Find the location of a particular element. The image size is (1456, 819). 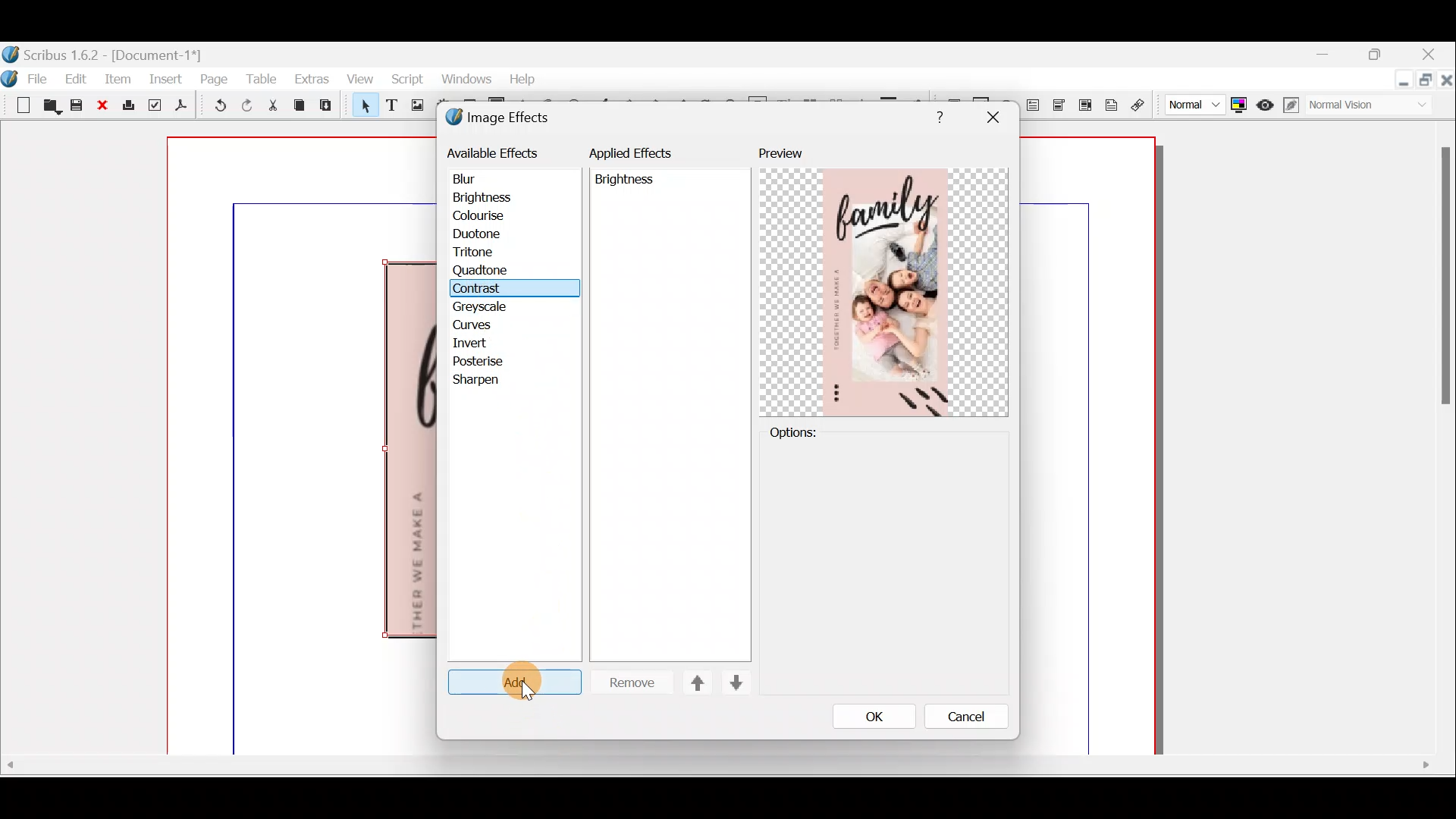

Cursor is located at coordinates (488, 289).